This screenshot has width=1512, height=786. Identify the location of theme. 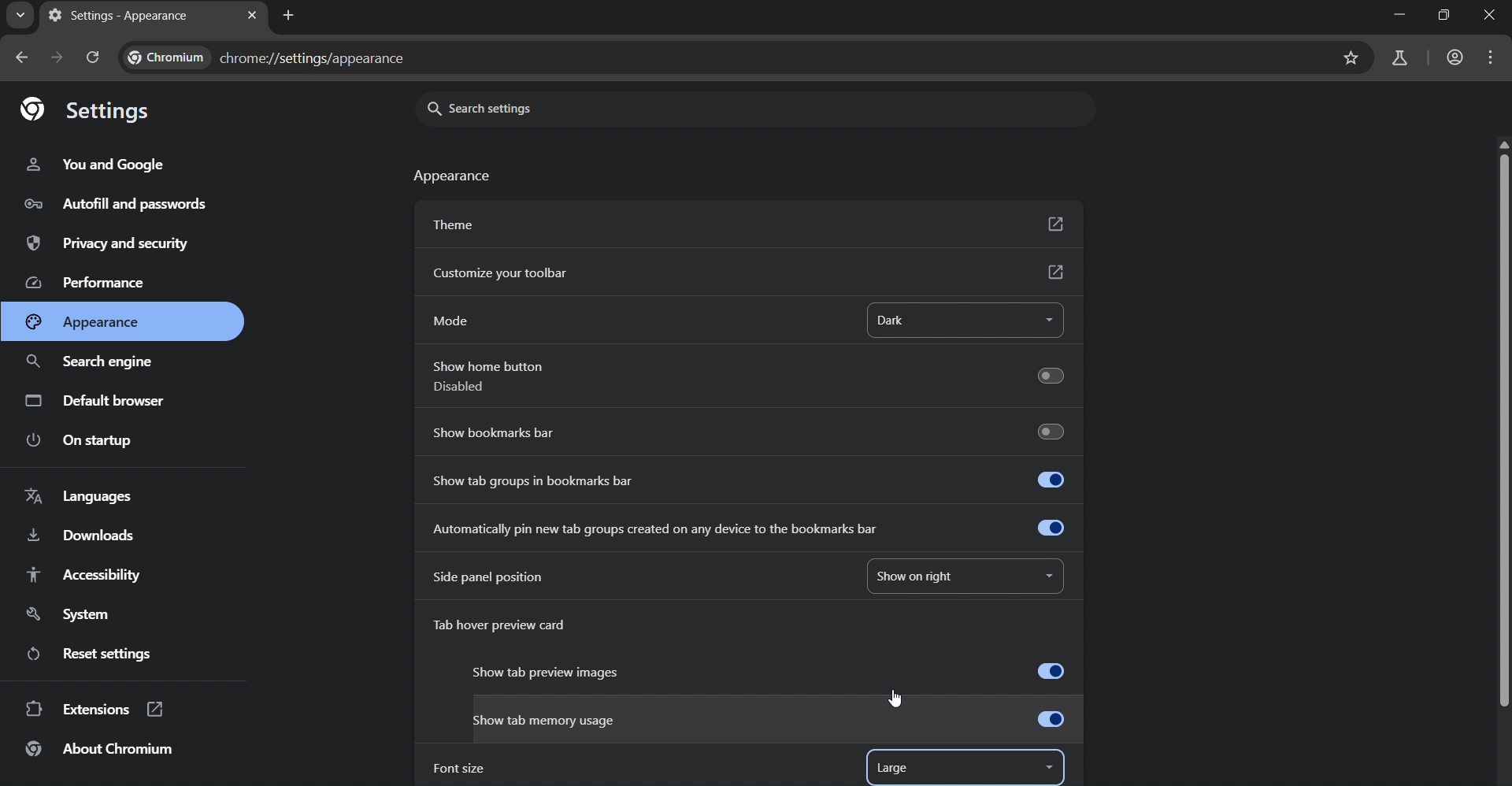
(746, 222).